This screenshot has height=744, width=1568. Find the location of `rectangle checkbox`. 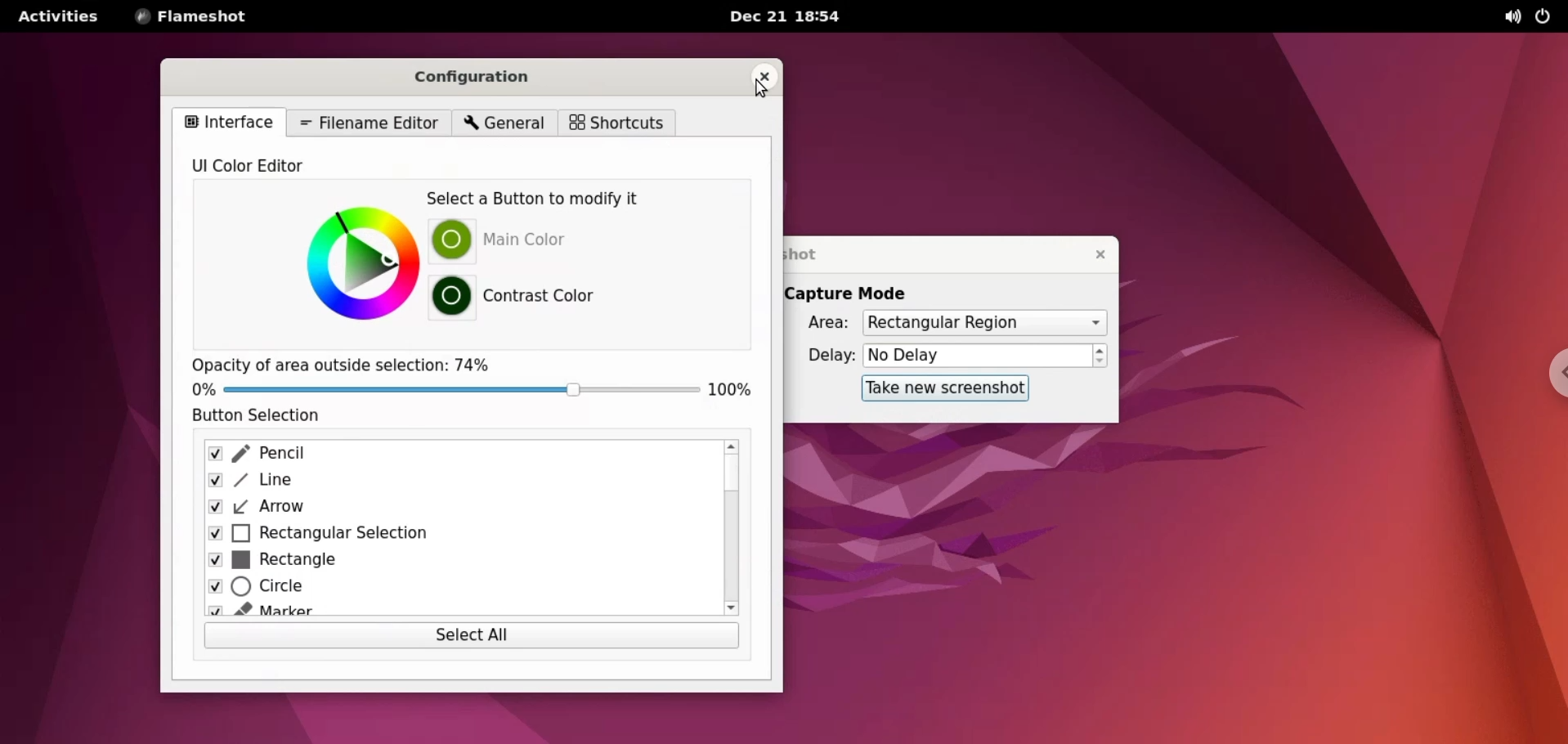

rectangle checkbox is located at coordinates (450, 563).